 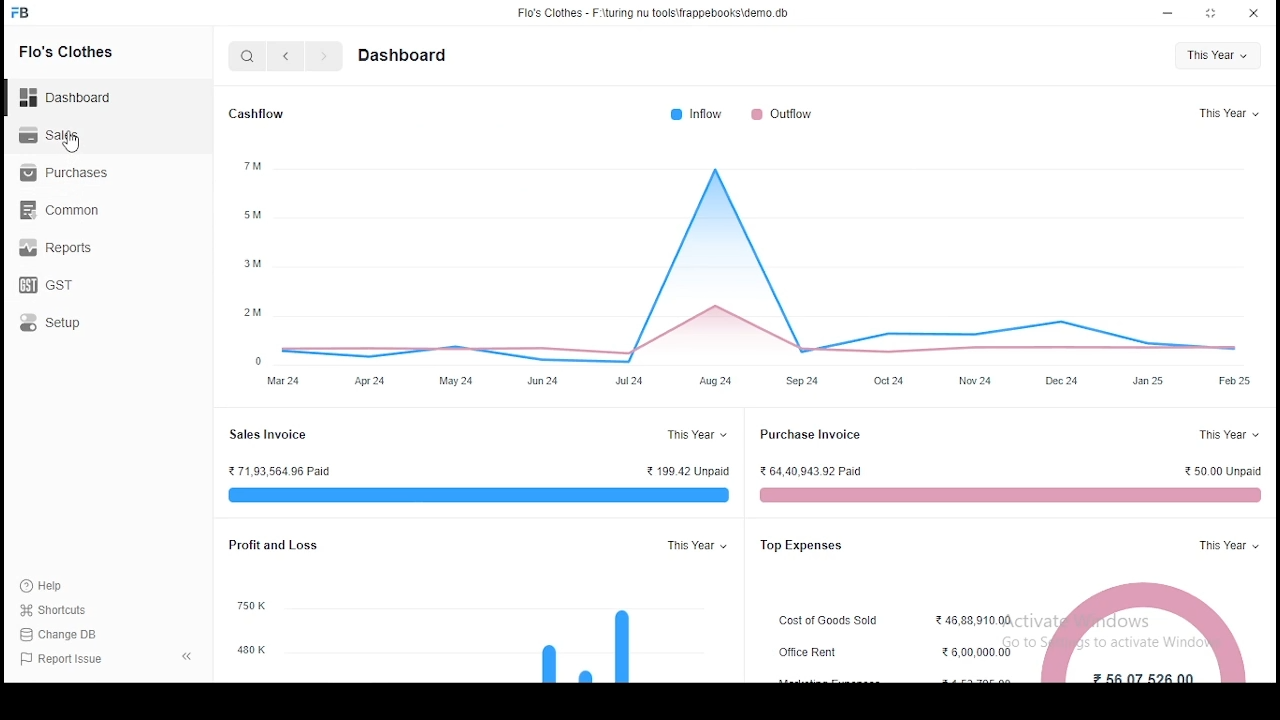 I want to click on Cost of Goods Sold, so click(x=828, y=621).